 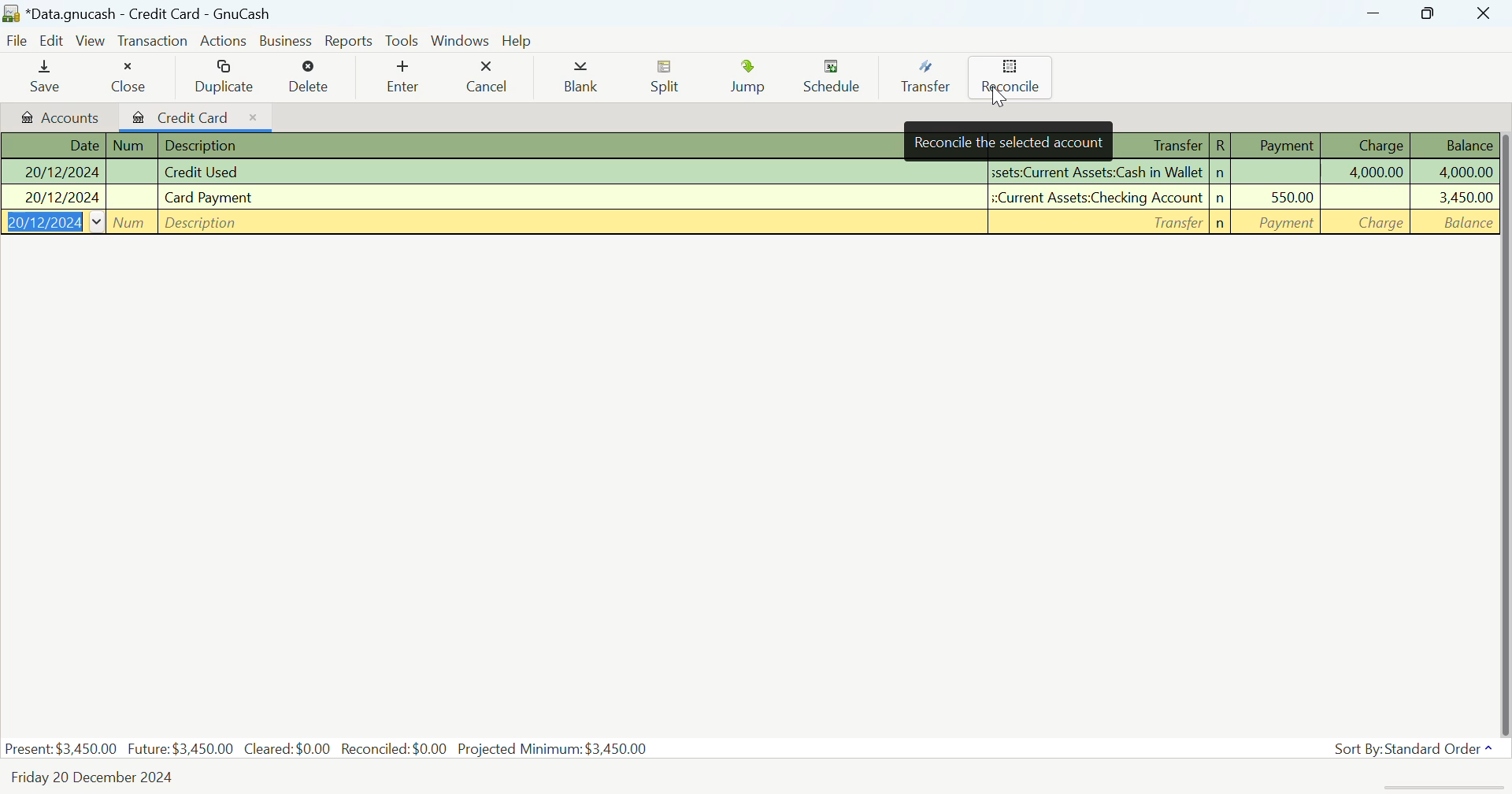 I want to click on Help, so click(x=519, y=39).